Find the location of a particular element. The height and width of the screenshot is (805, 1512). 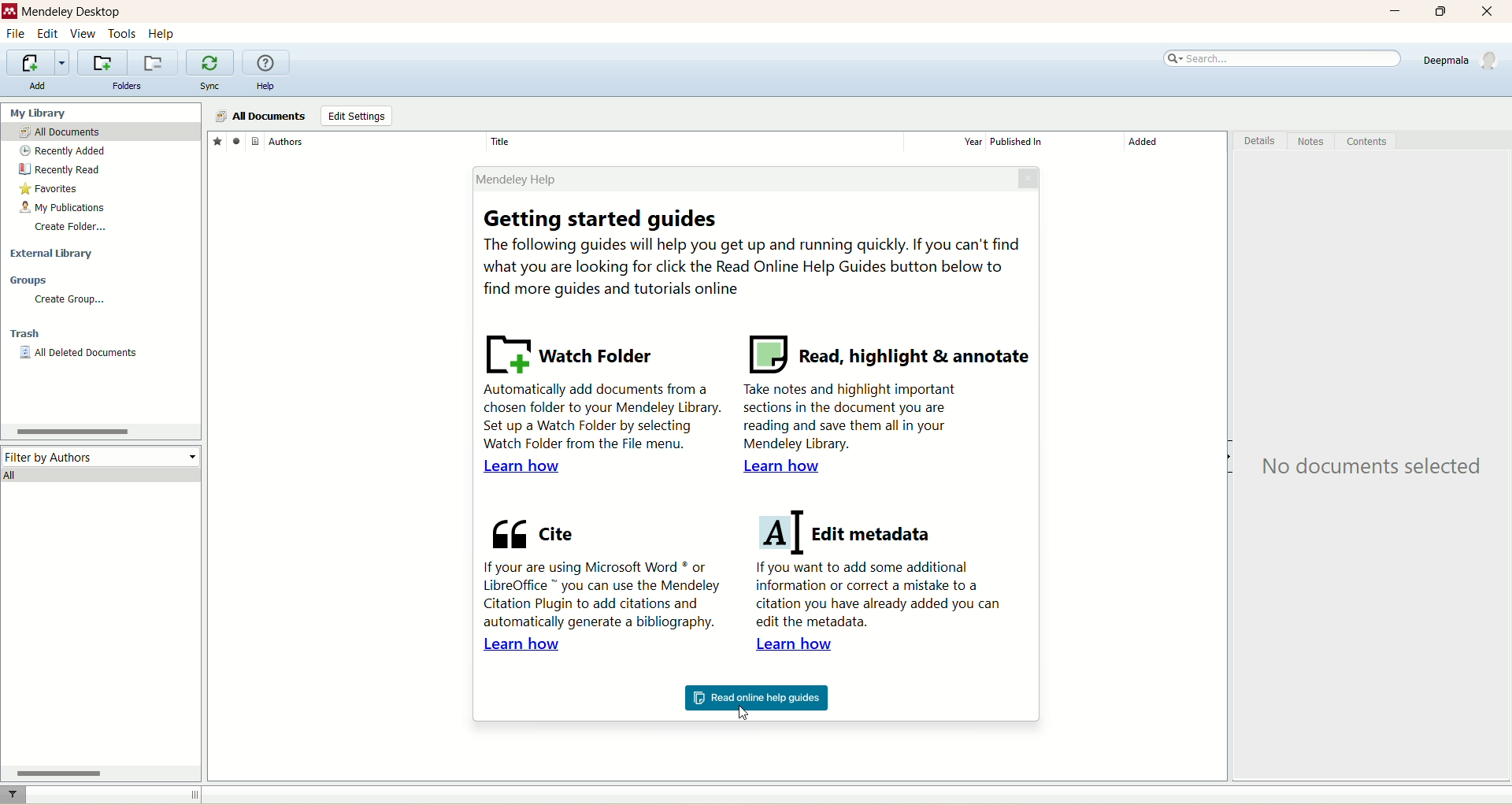

search is located at coordinates (1283, 59).